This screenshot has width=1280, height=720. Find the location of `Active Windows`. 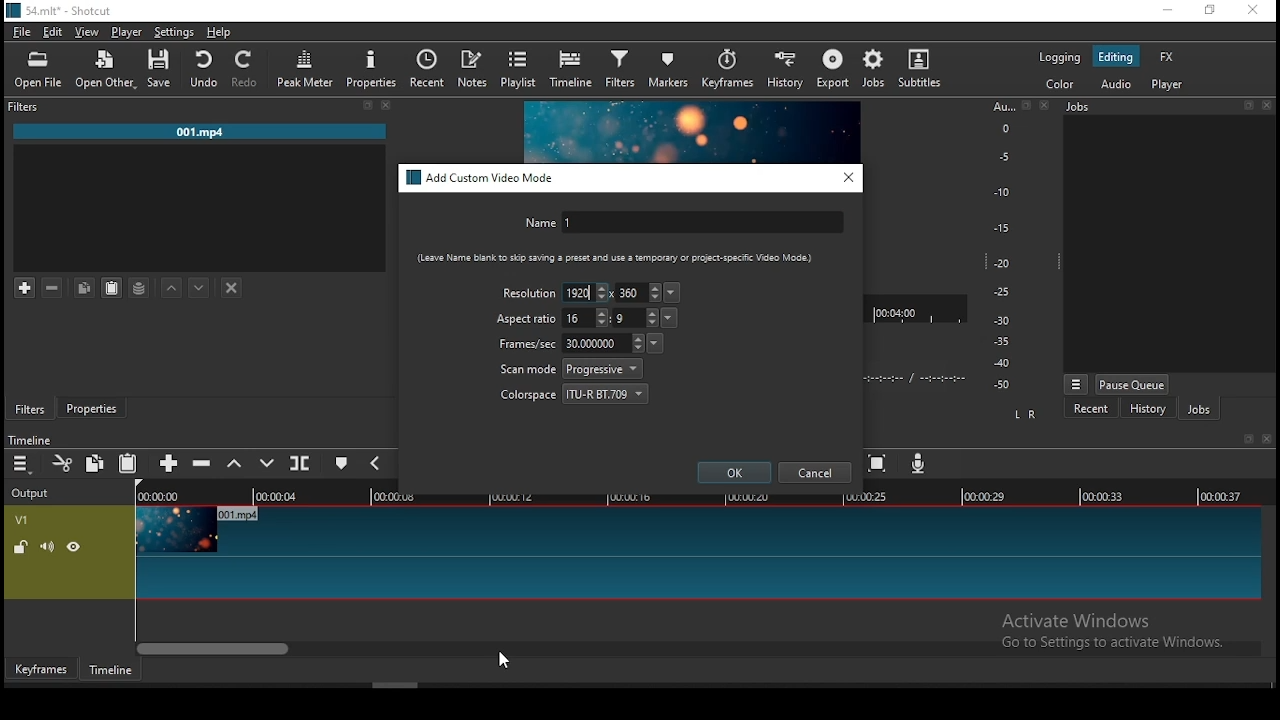

Active Windows is located at coordinates (1084, 620).